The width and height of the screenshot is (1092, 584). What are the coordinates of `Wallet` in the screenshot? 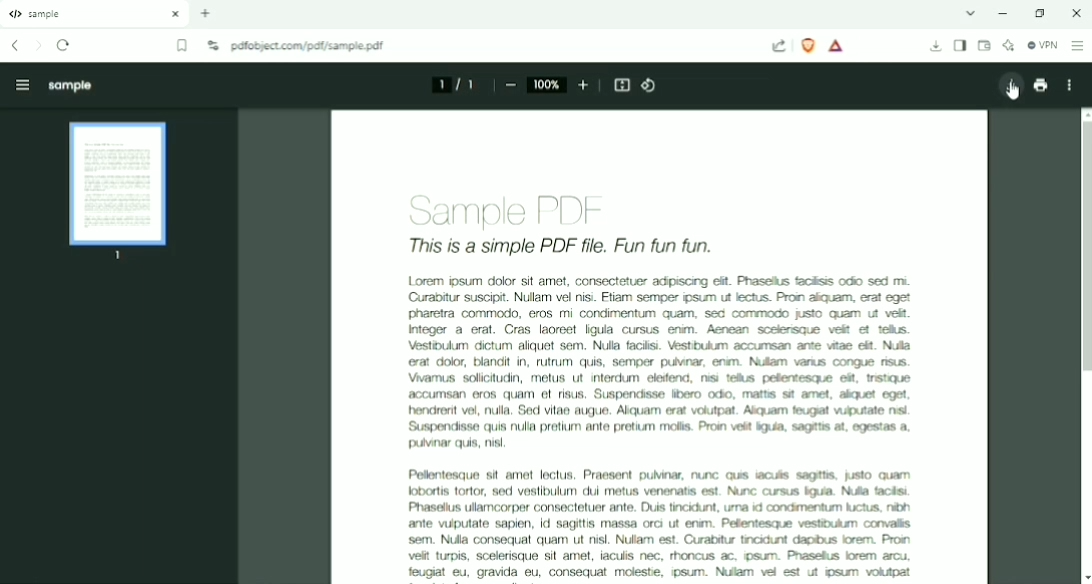 It's located at (984, 46).